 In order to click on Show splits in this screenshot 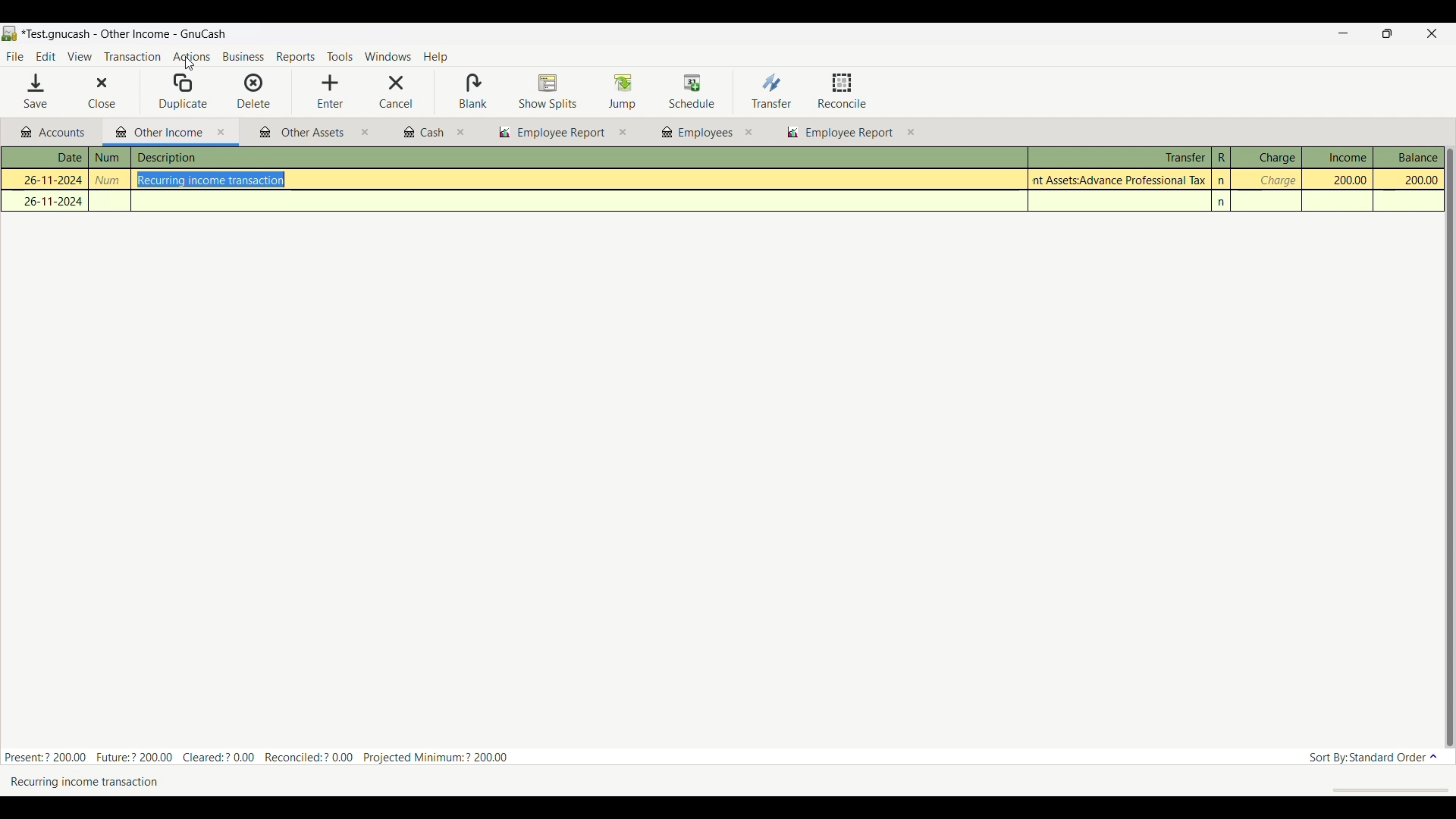, I will do `click(548, 93)`.